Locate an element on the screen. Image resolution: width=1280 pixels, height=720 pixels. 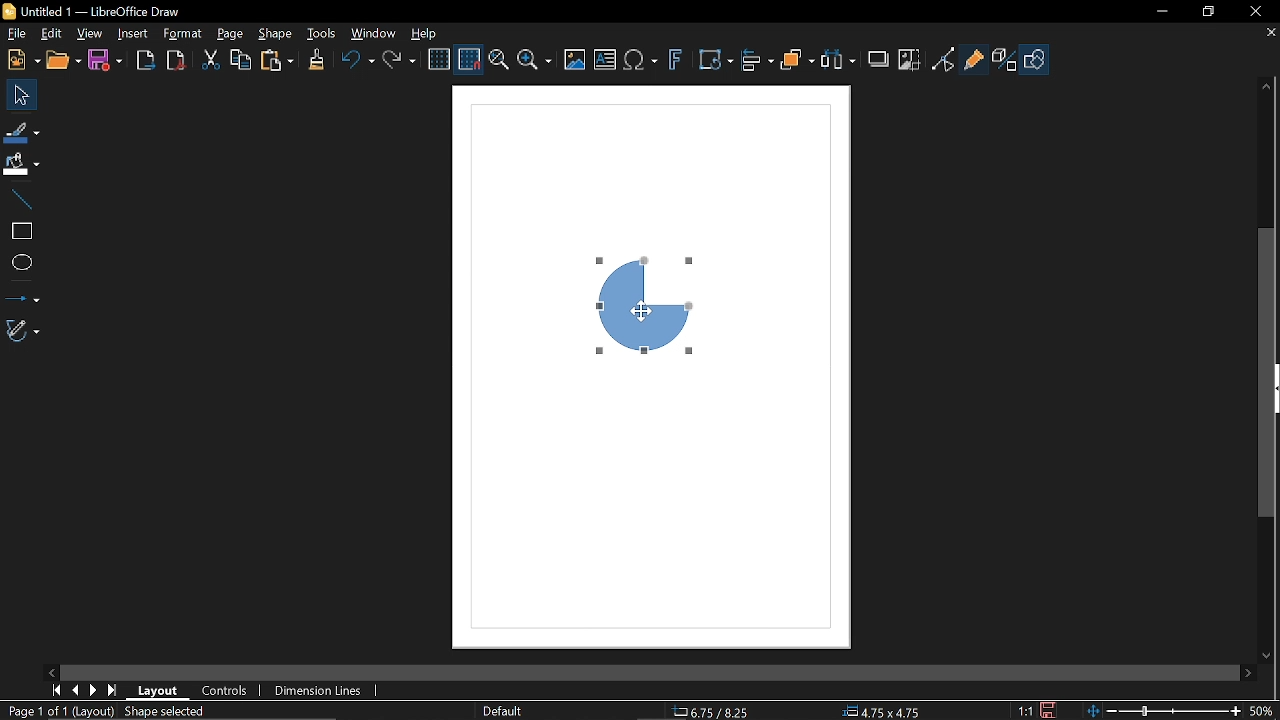
Format is located at coordinates (185, 35).